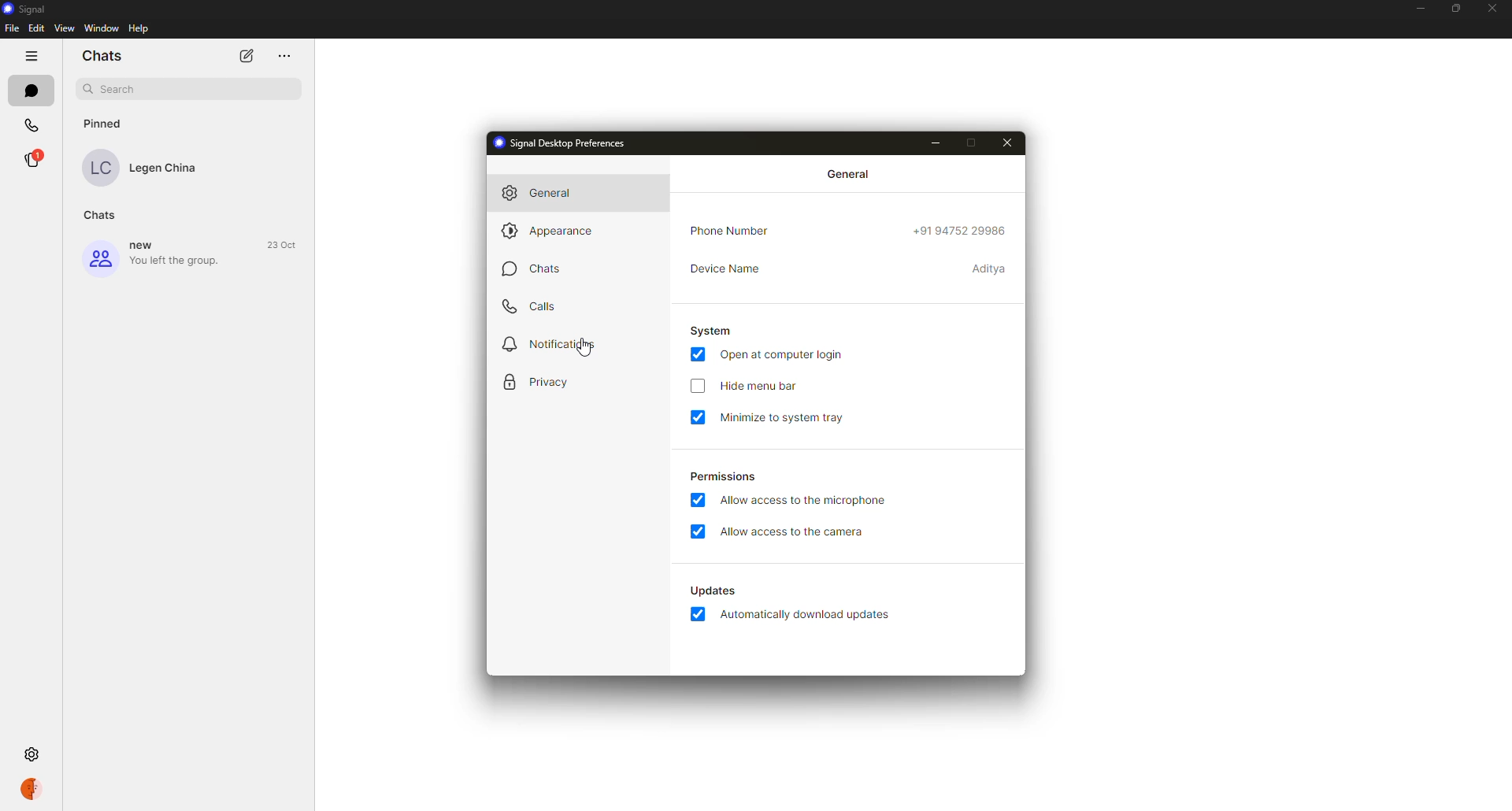 Image resolution: width=1512 pixels, height=811 pixels. What do you see at coordinates (532, 307) in the screenshot?
I see `calls` at bounding box center [532, 307].